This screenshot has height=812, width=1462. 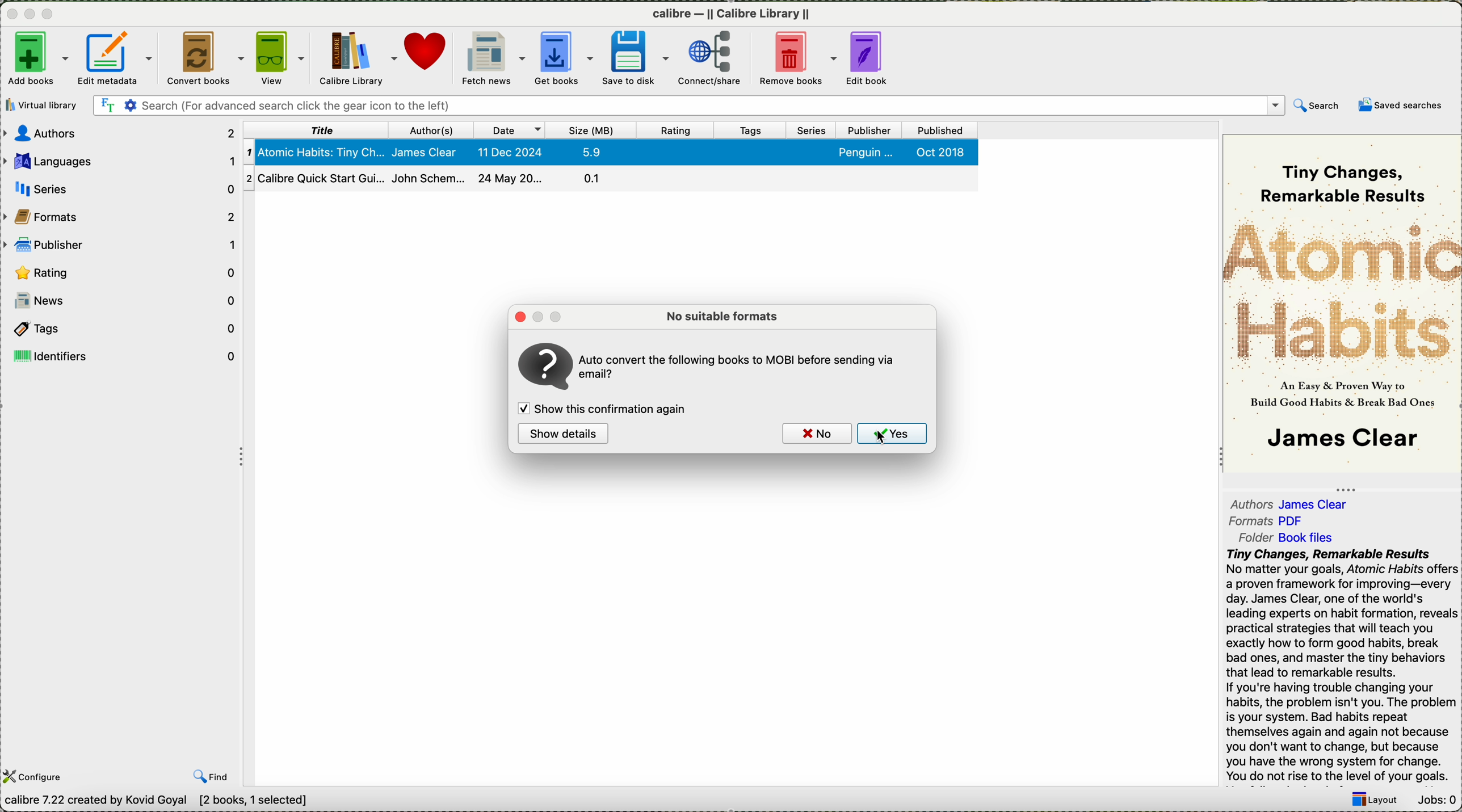 I want to click on title, so click(x=320, y=129).